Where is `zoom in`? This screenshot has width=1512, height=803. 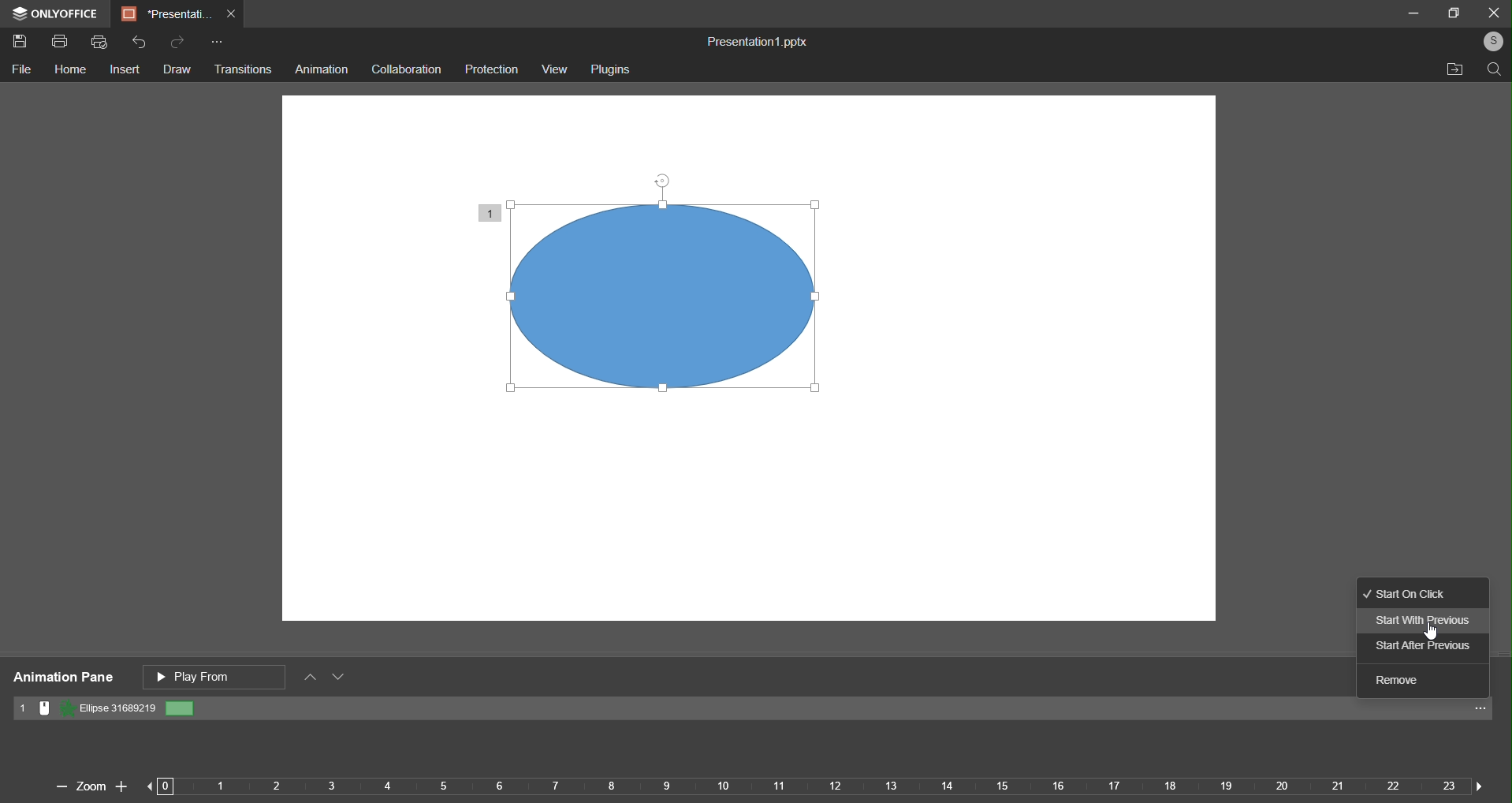
zoom in is located at coordinates (121, 783).